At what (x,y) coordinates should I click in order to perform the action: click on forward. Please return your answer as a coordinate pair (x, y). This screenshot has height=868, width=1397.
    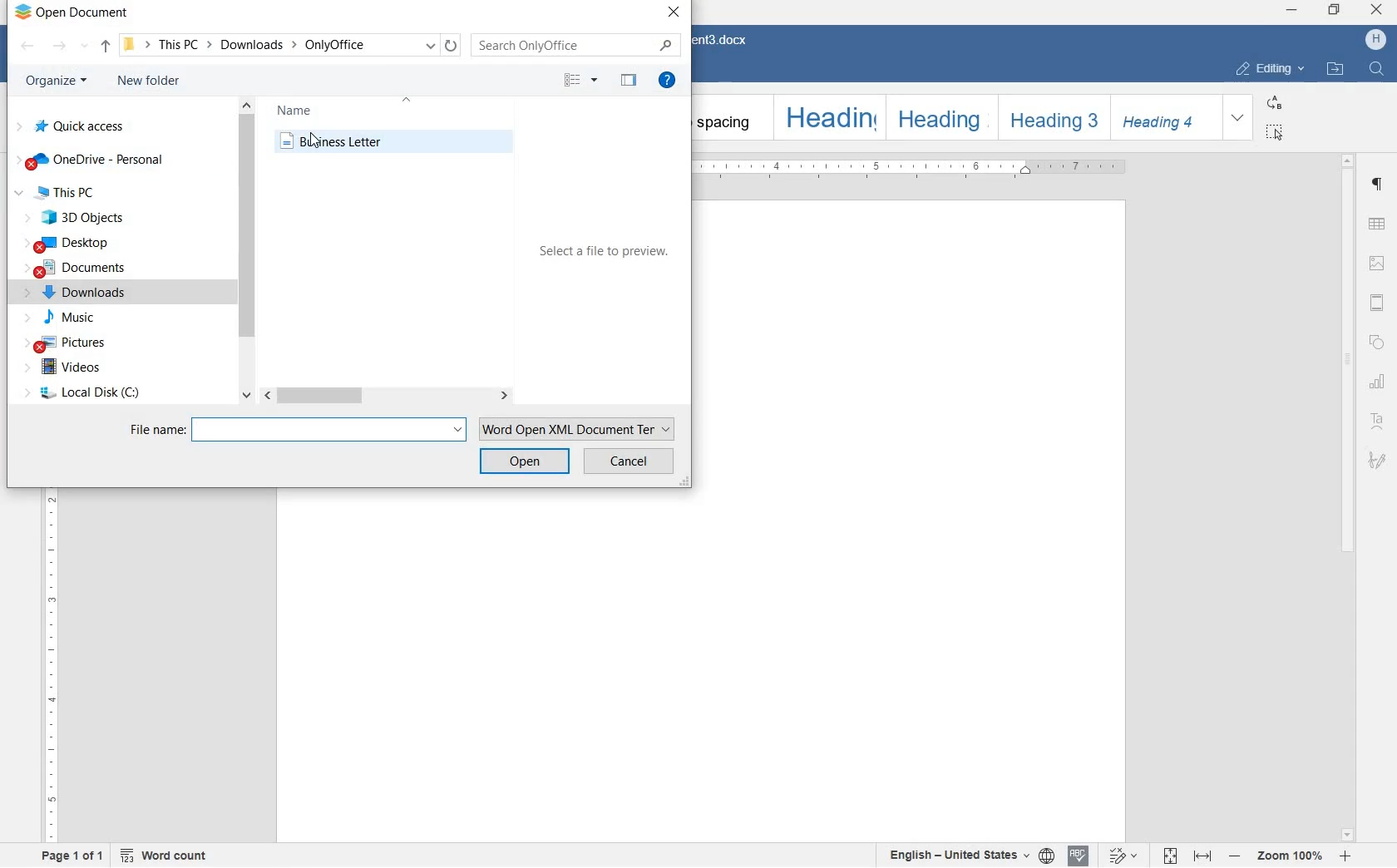
    Looking at the image, I should click on (59, 45).